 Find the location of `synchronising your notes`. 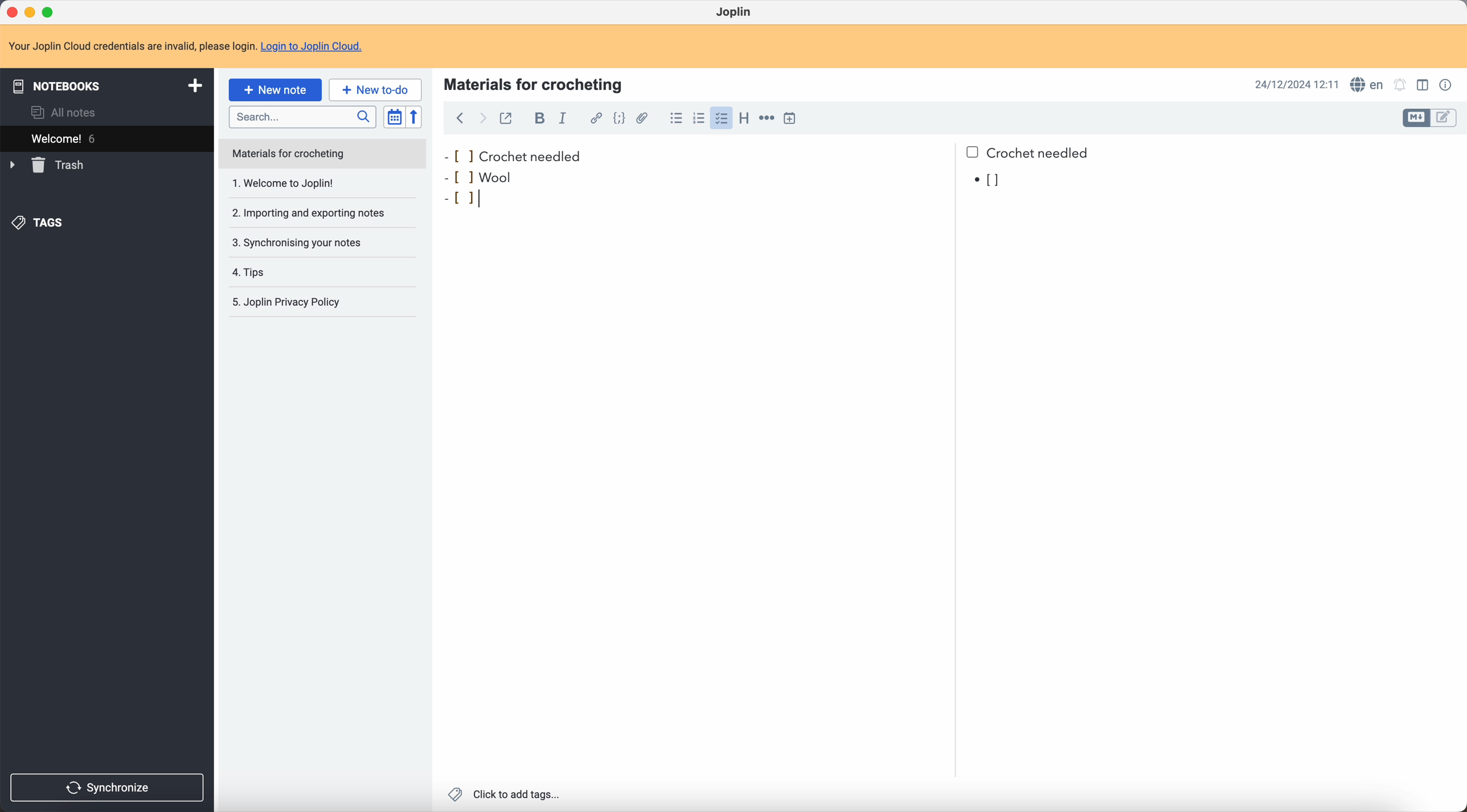

synchronising your notes is located at coordinates (315, 242).